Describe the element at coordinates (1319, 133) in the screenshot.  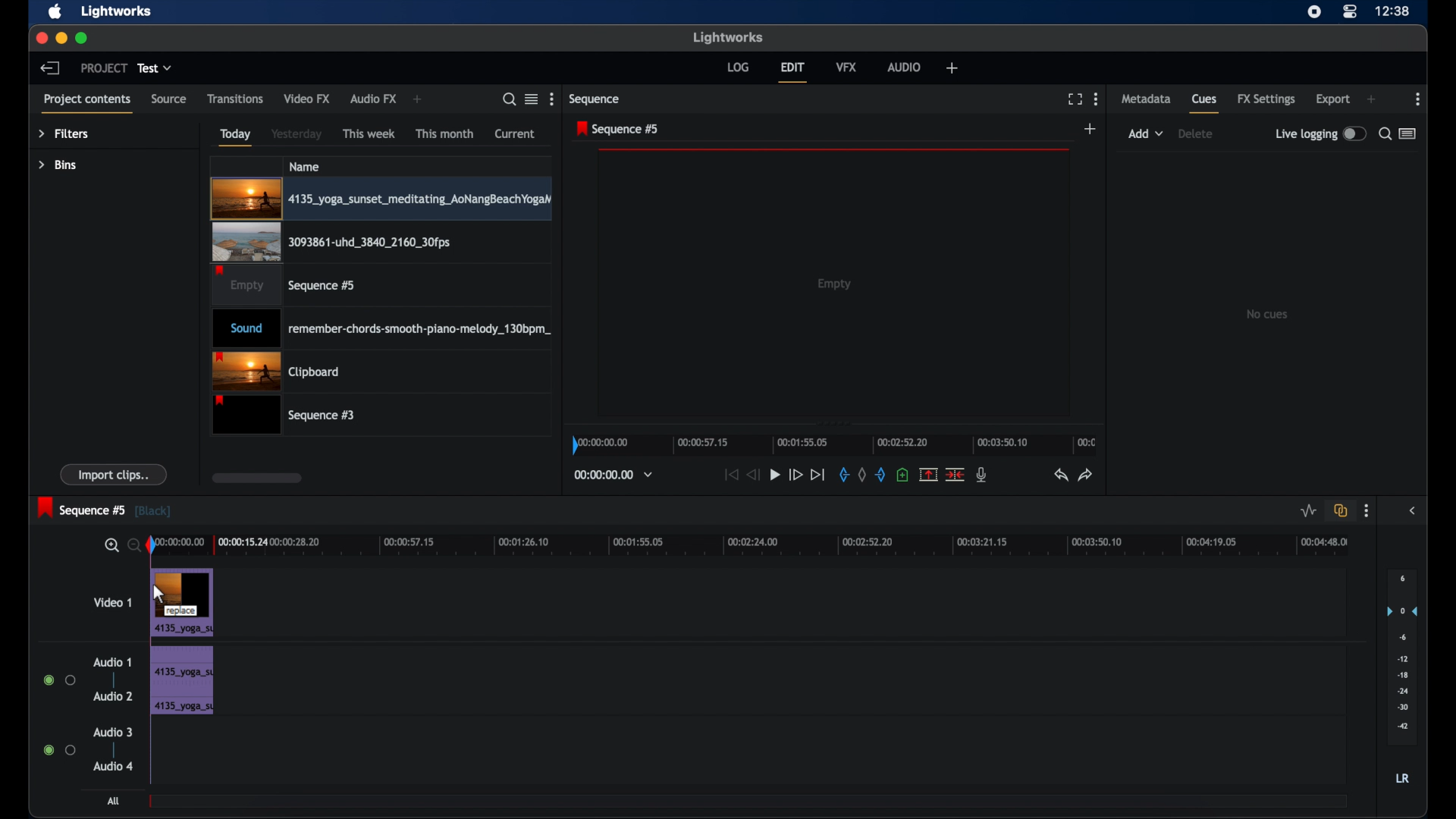
I see `live logging` at that location.